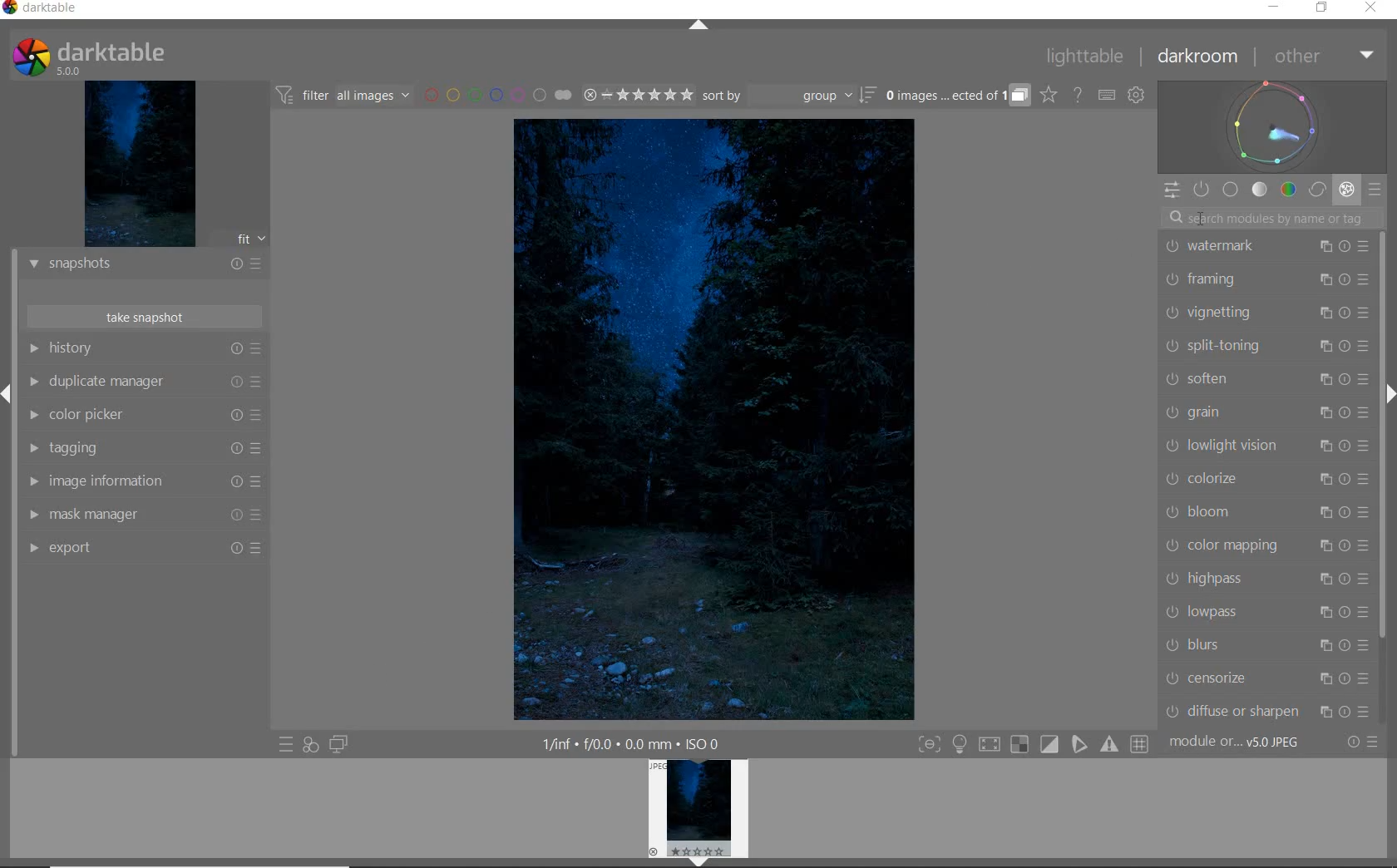 The width and height of the screenshot is (1397, 868). Describe the element at coordinates (1267, 313) in the screenshot. I see `VIGNETTING` at that location.